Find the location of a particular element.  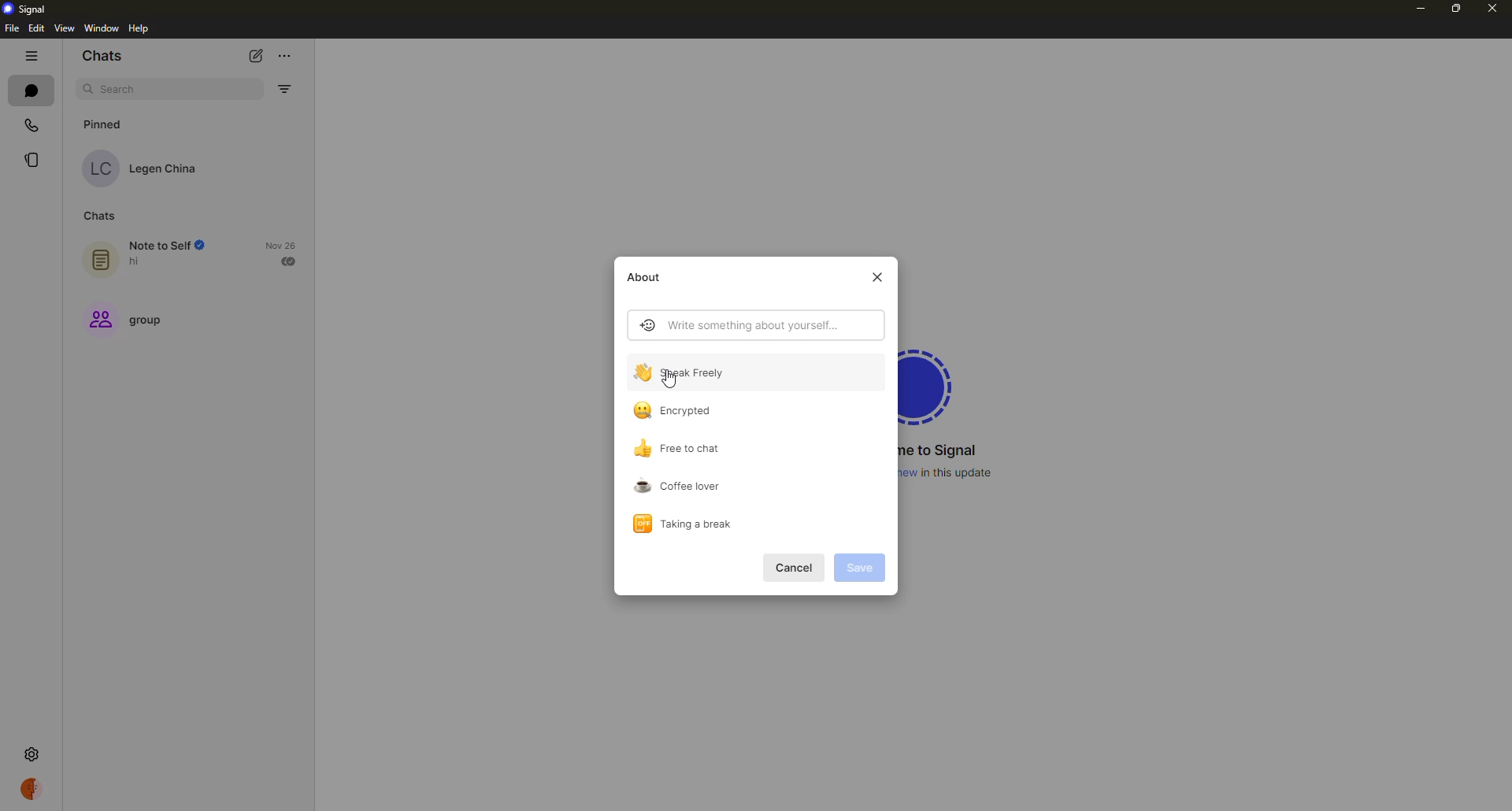

contact is located at coordinates (144, 168).